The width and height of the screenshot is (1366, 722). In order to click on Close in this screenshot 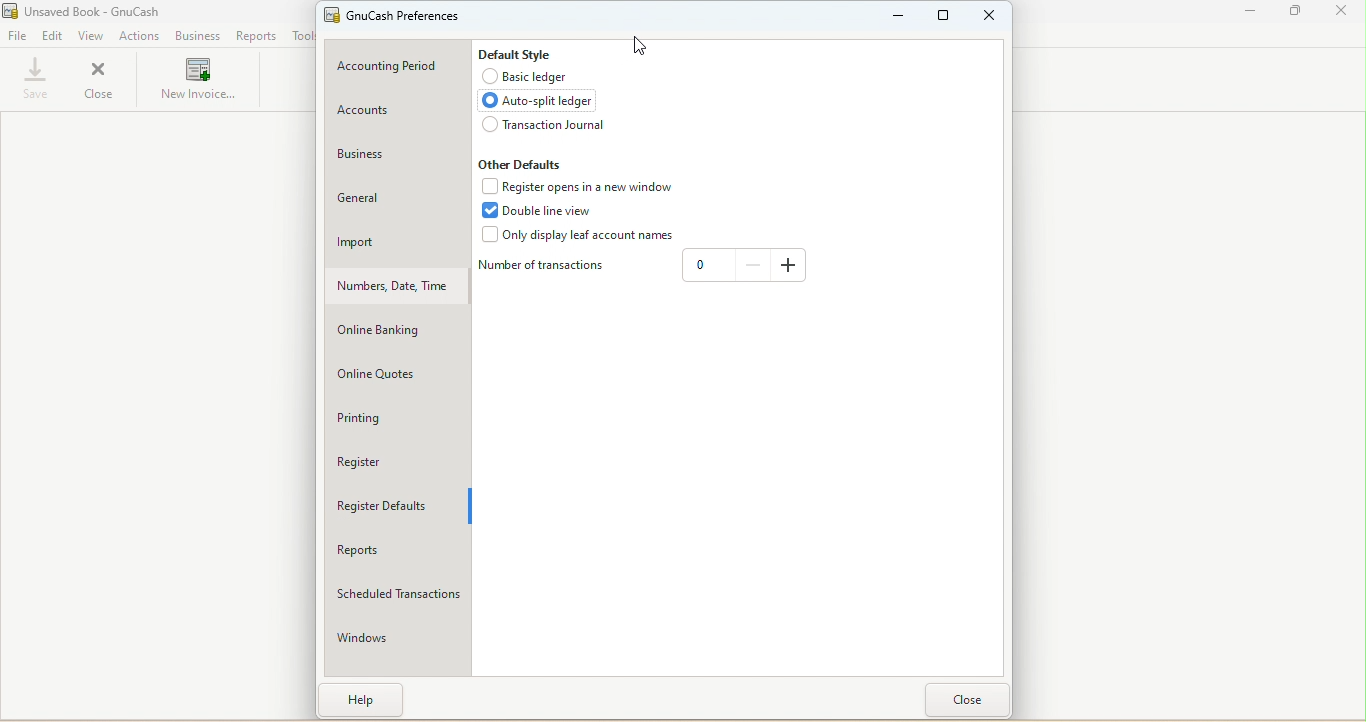, I will do `click(108, 78)`.